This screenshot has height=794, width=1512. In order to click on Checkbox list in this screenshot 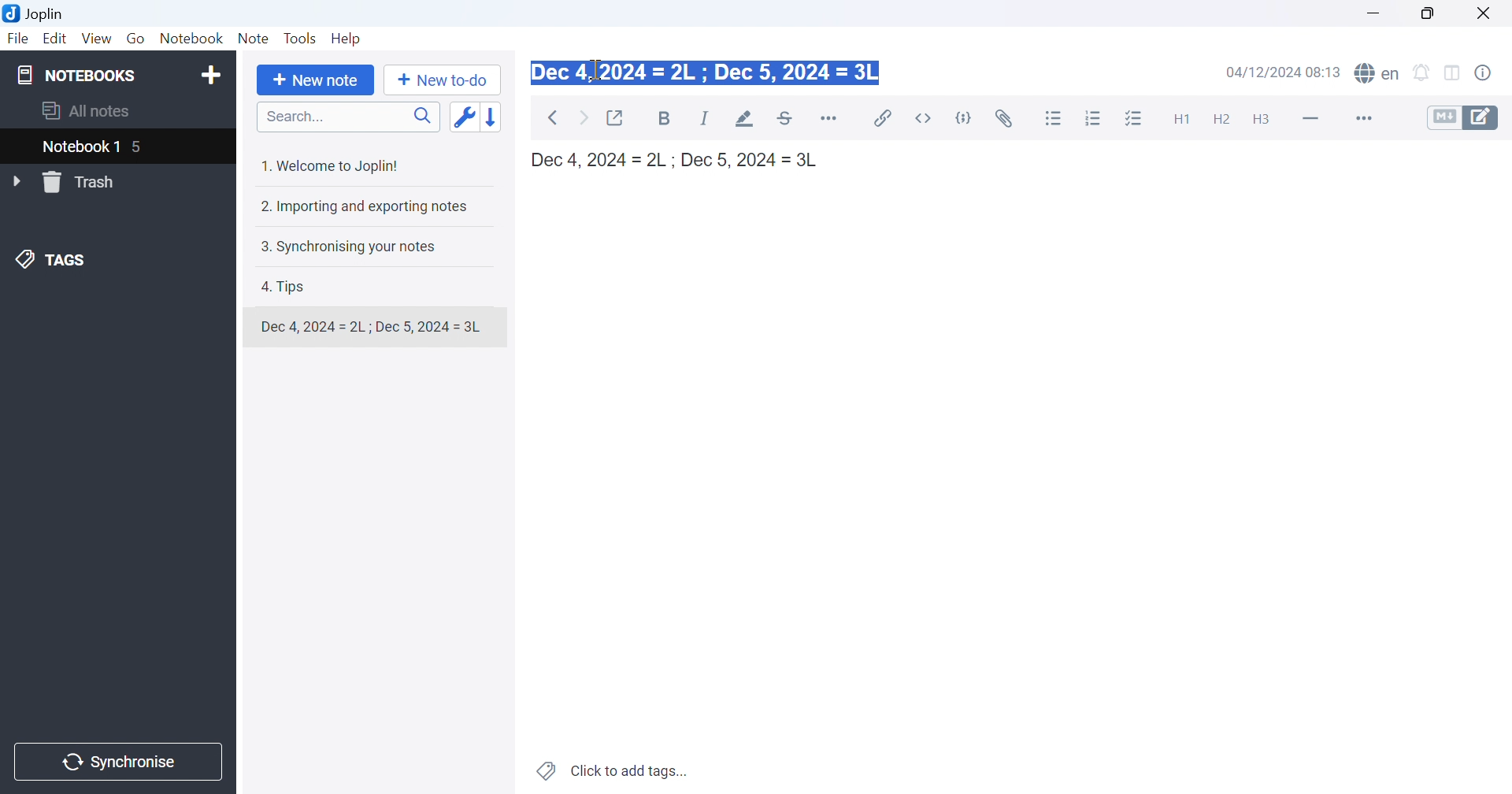, I will do `click(1136, 119)`.